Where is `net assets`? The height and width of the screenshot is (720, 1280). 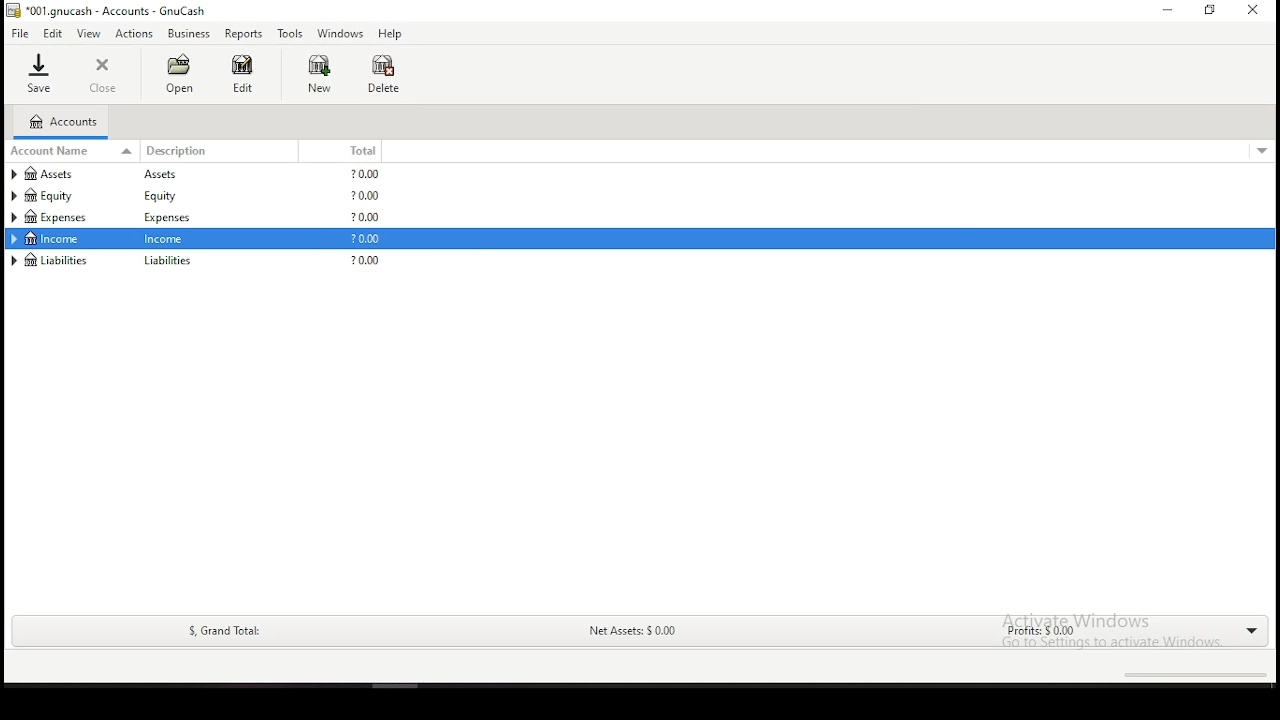 net assets is located at coordinates (631, 633).